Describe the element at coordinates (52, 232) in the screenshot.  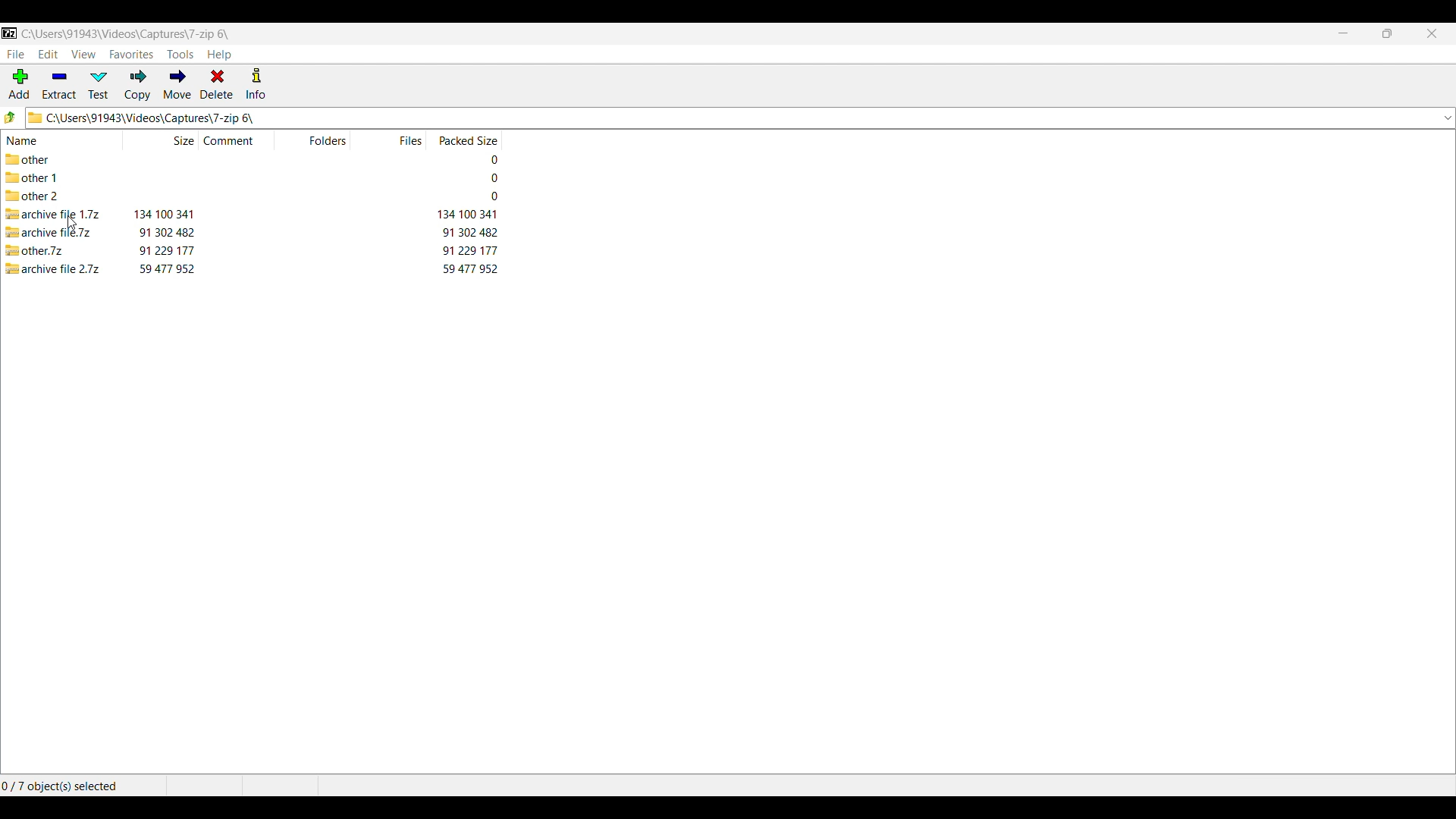
I see `archive file.7z` at that location.